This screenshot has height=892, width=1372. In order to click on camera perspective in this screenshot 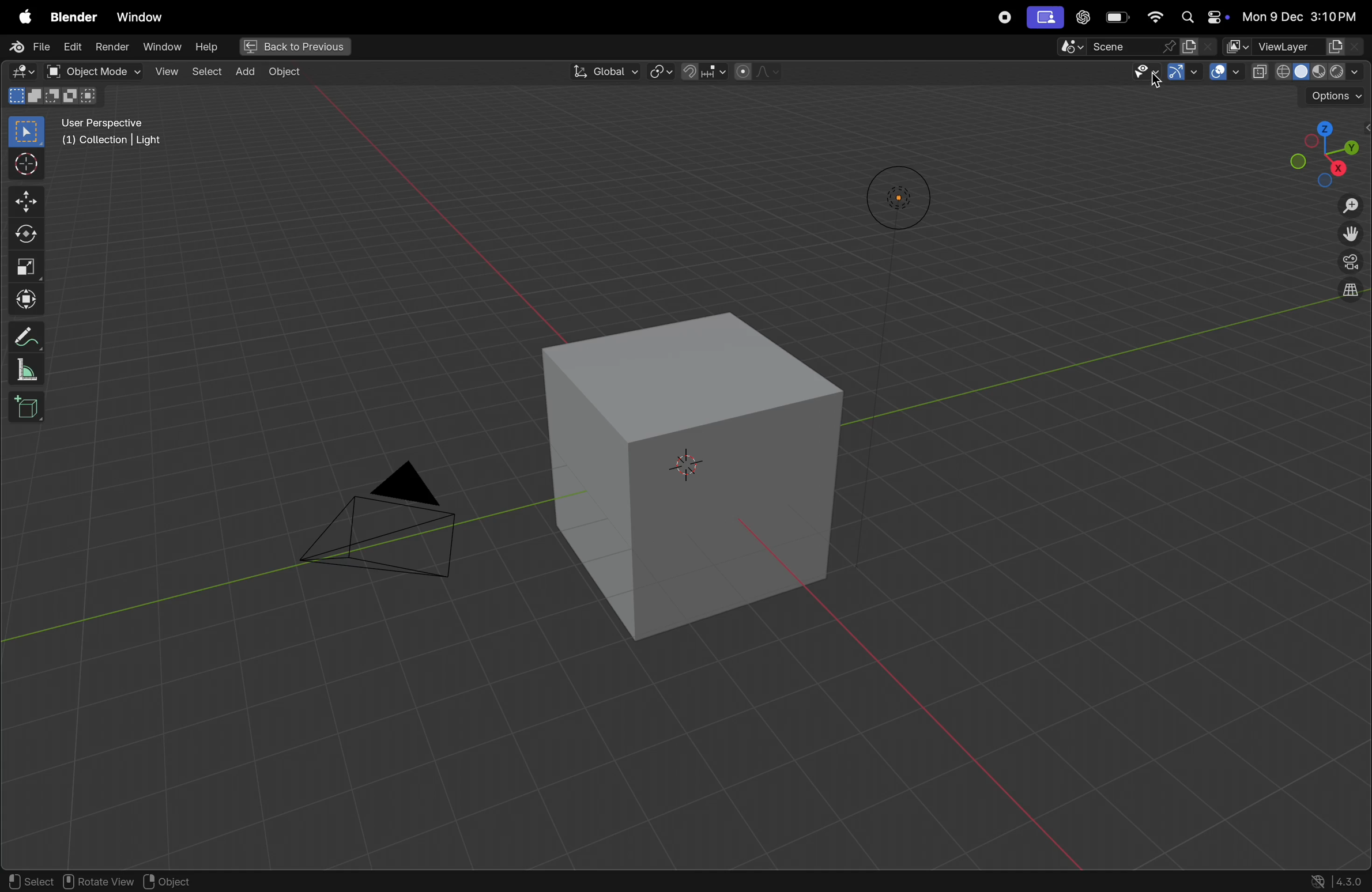, I will do `click(1349, 263)`.